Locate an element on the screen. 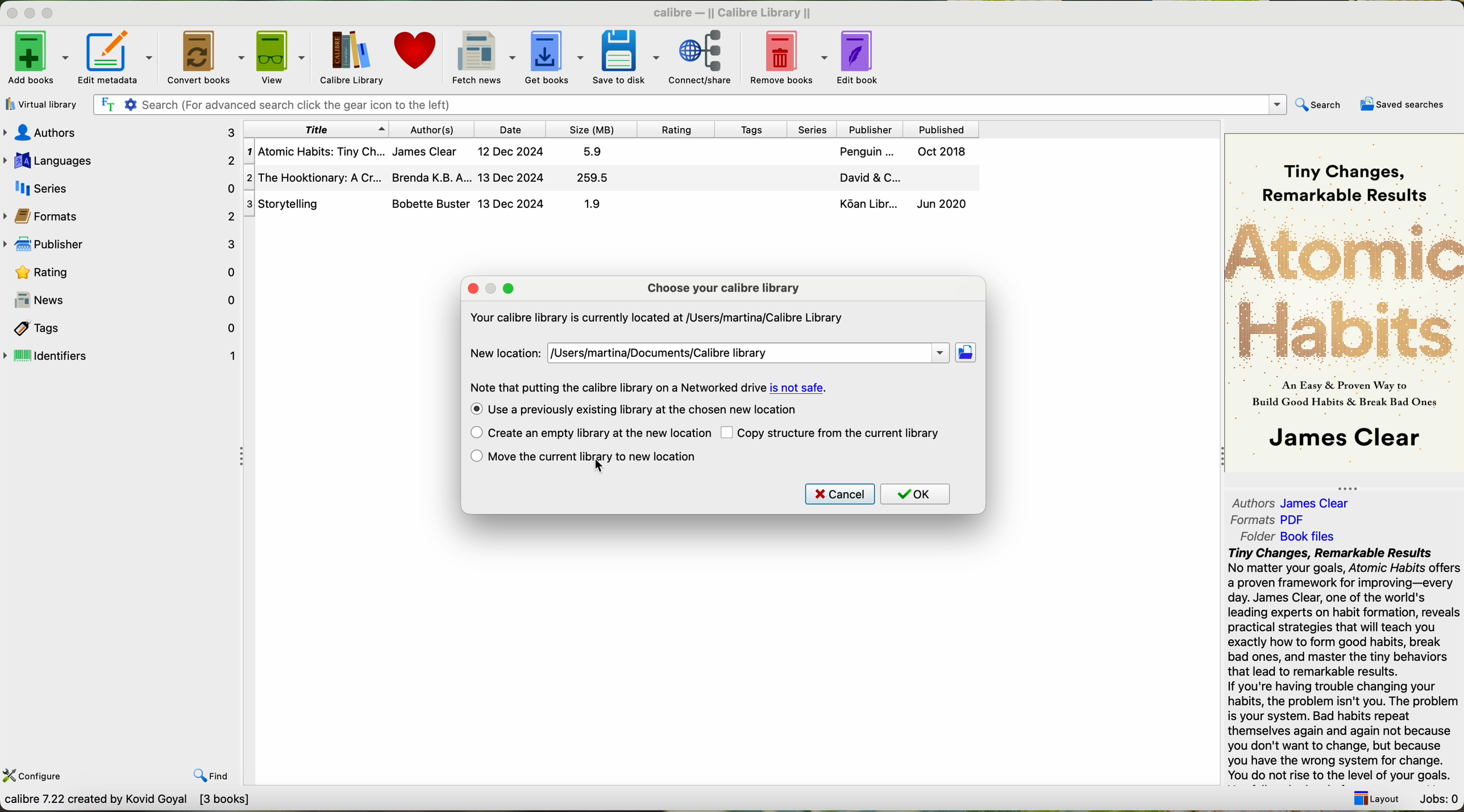 This screenshot has width=1464, height=812. edit book is located at coordinates (863, 57).